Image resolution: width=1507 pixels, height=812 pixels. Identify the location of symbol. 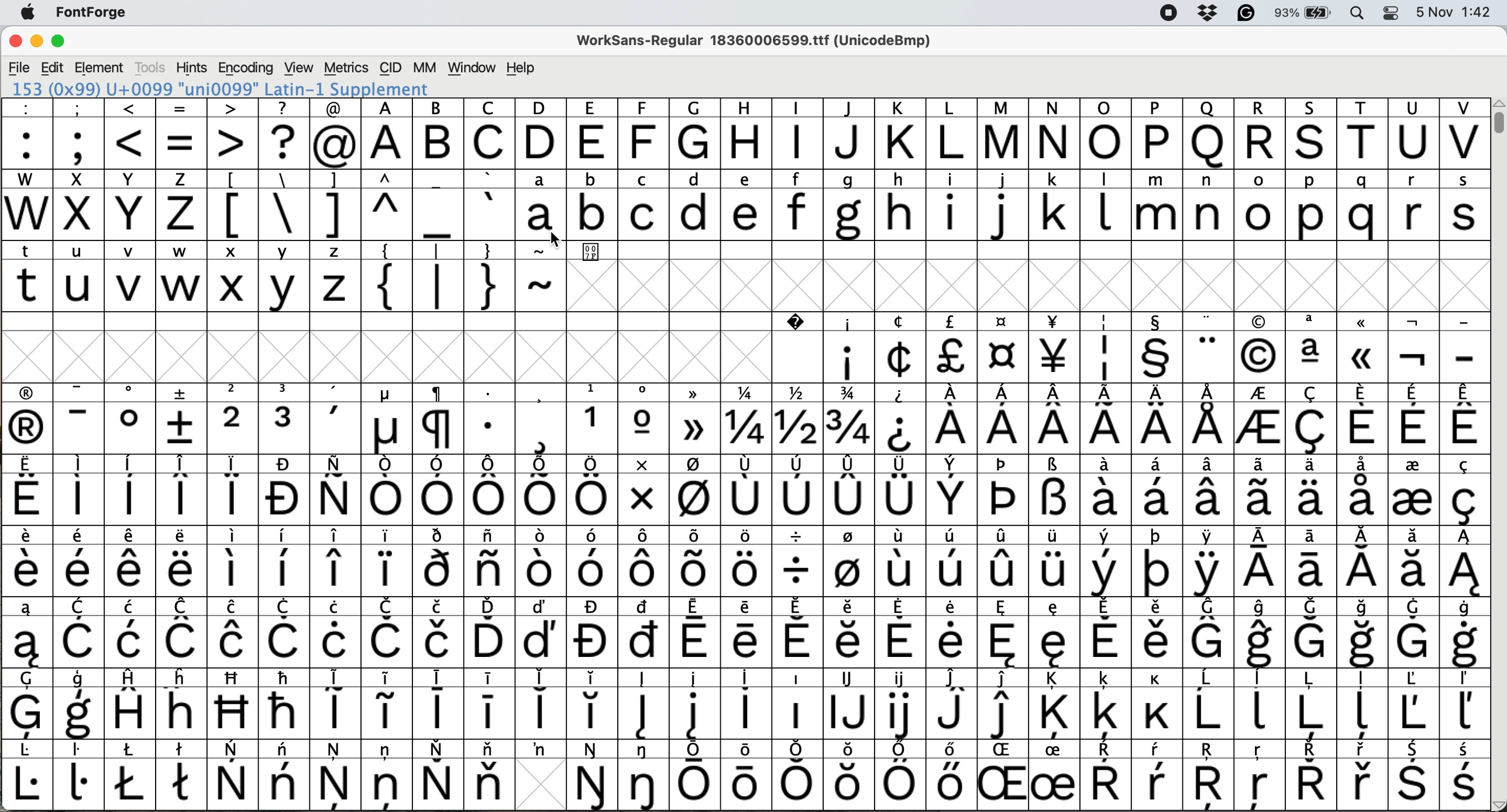
(541, 419).